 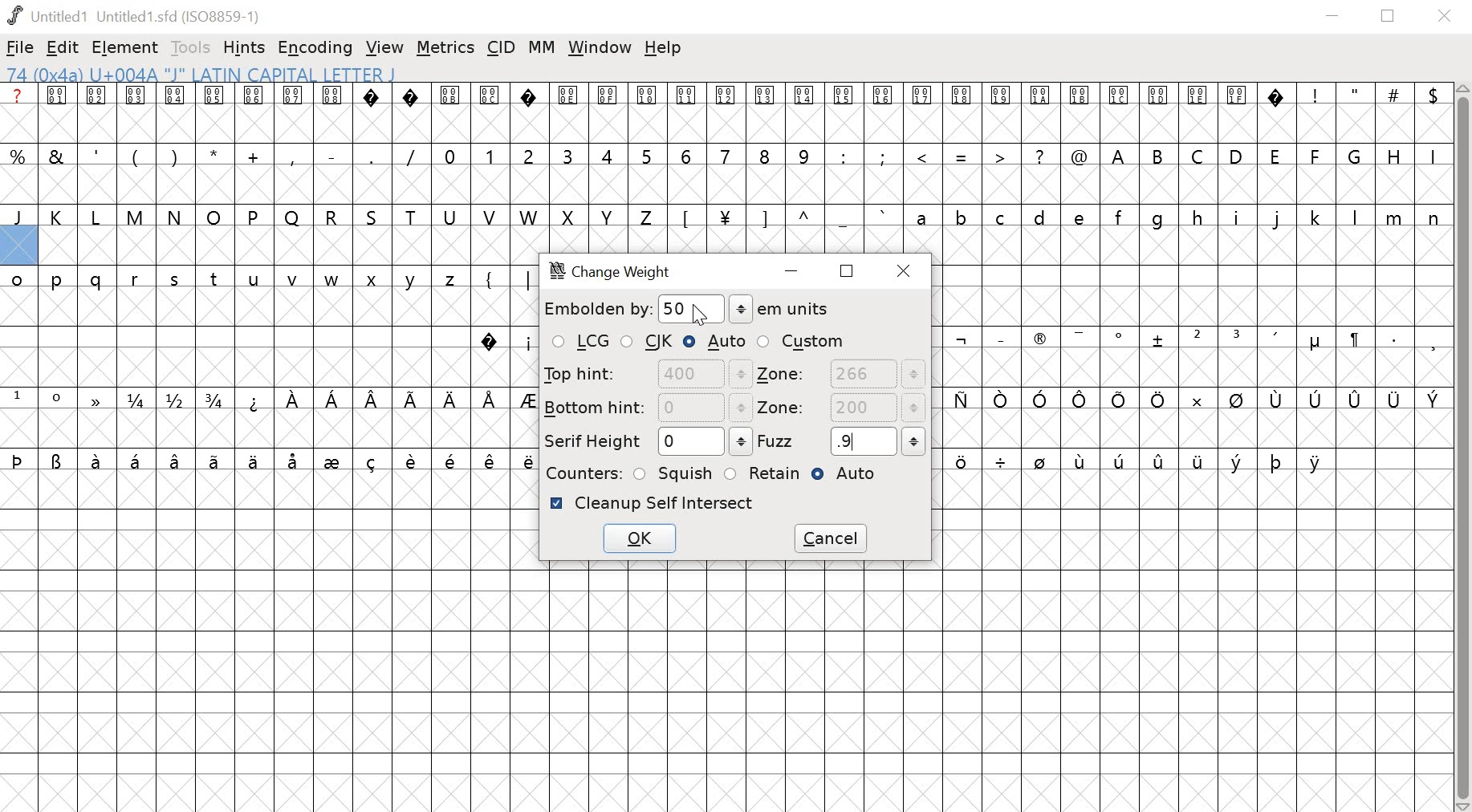 I want to click on symbol, so click(x=93, y=398).